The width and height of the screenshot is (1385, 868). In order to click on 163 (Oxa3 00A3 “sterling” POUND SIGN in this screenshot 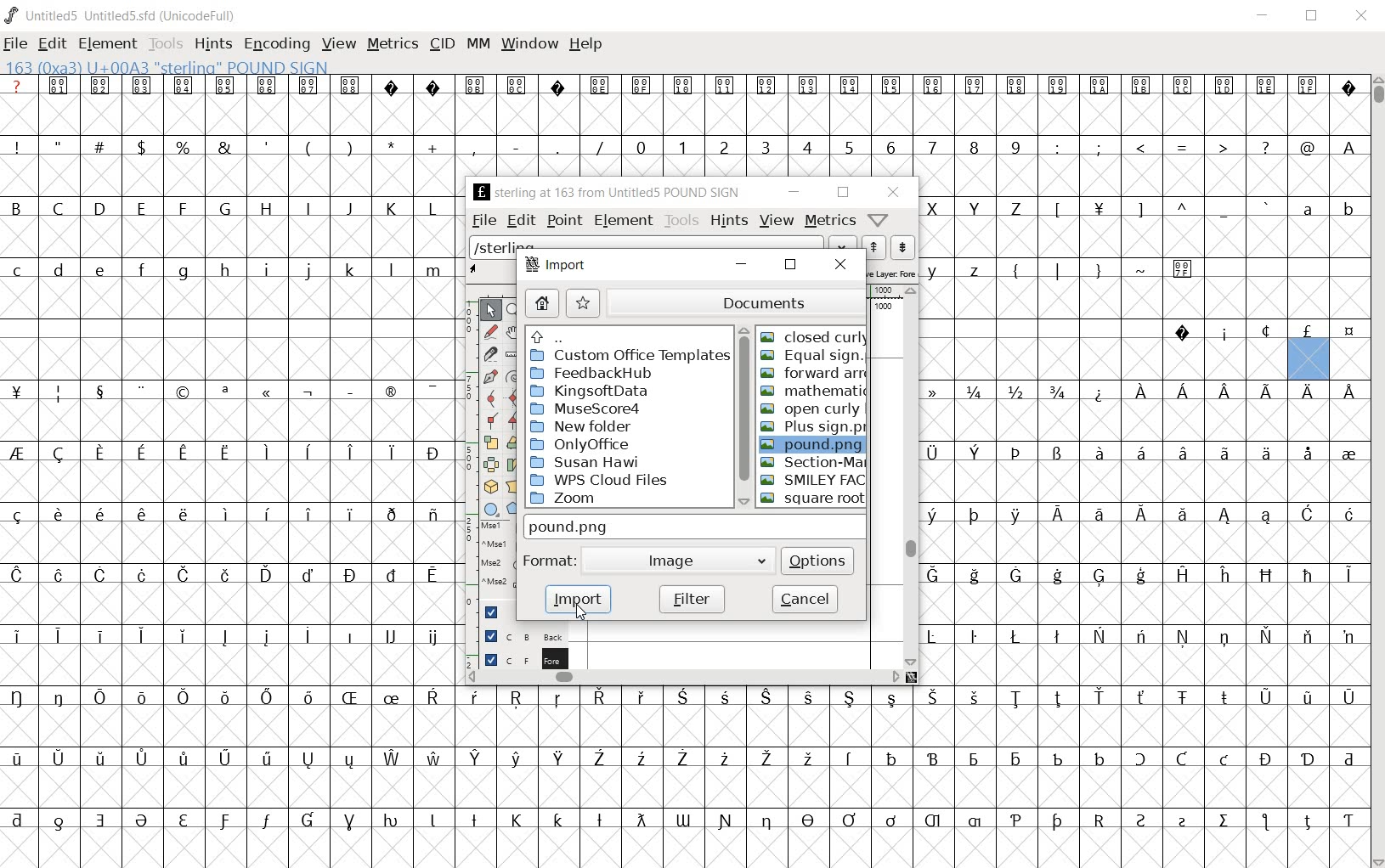, I will do `click(173, 65)`.